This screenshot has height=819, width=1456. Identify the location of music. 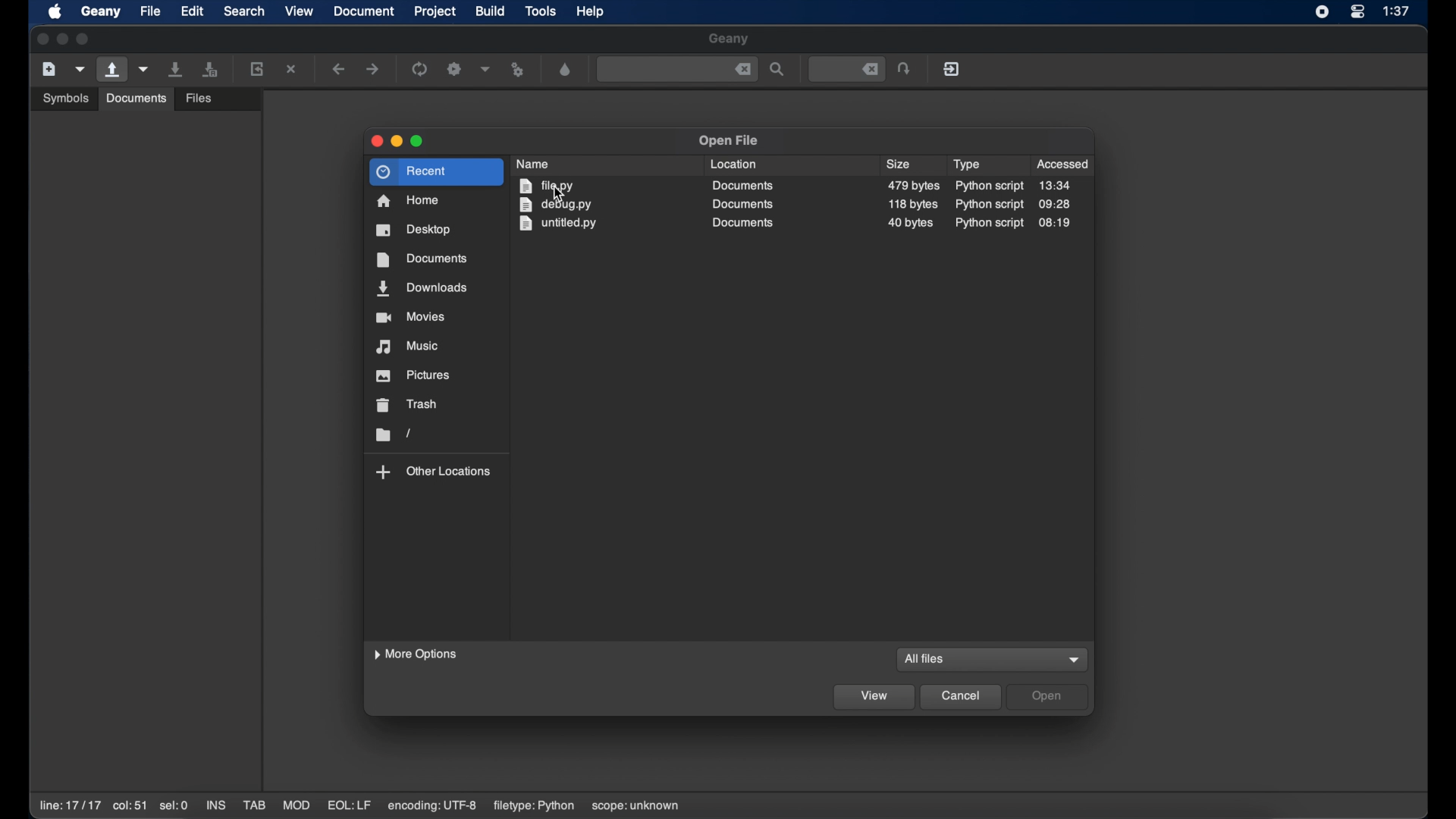
(409, 347).